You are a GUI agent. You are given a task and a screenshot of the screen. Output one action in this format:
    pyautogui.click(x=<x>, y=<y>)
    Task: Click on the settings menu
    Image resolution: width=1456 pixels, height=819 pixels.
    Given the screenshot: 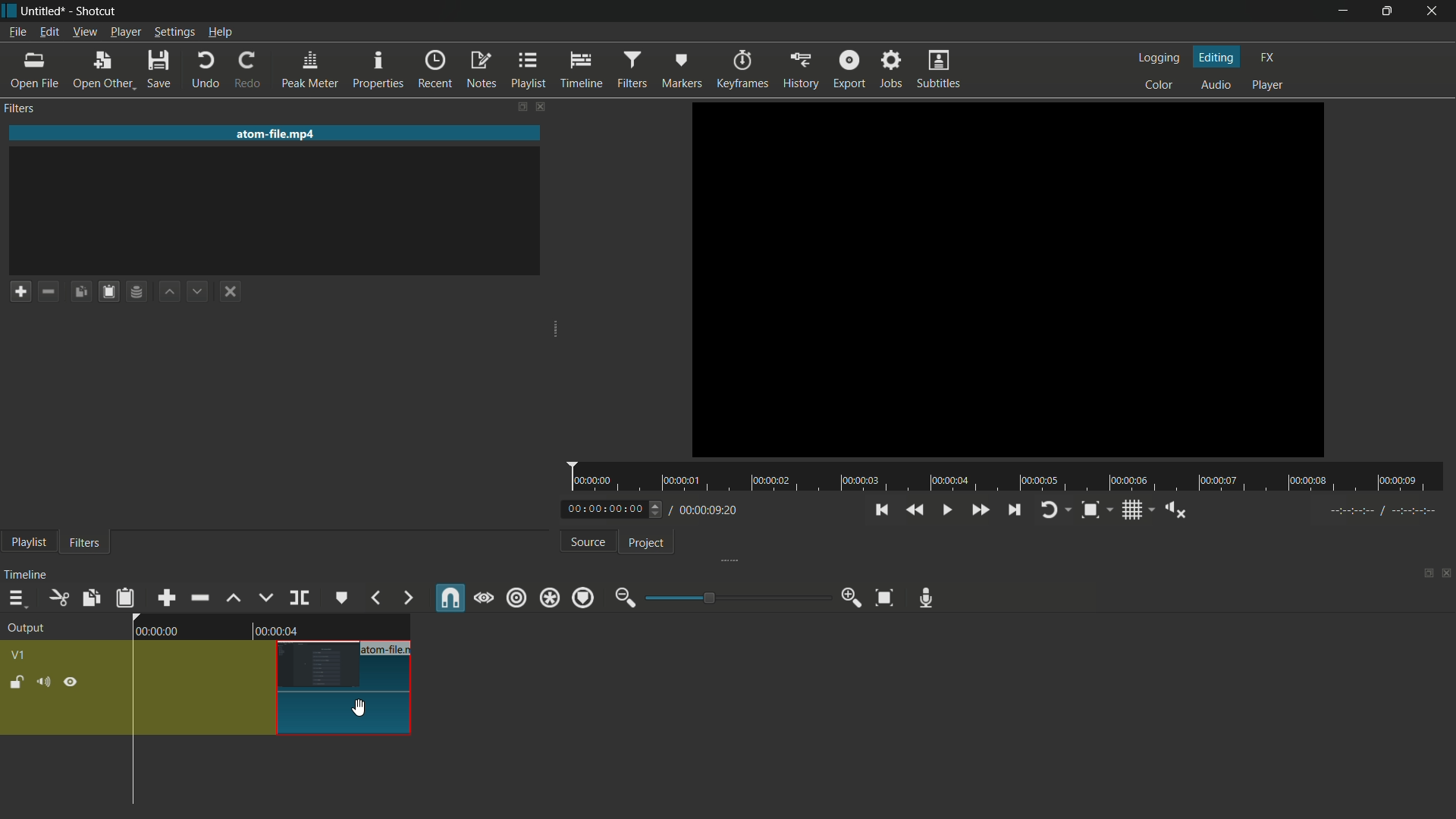 What is the action you would take?
    pyautogui.click(x=174, y=32)
    